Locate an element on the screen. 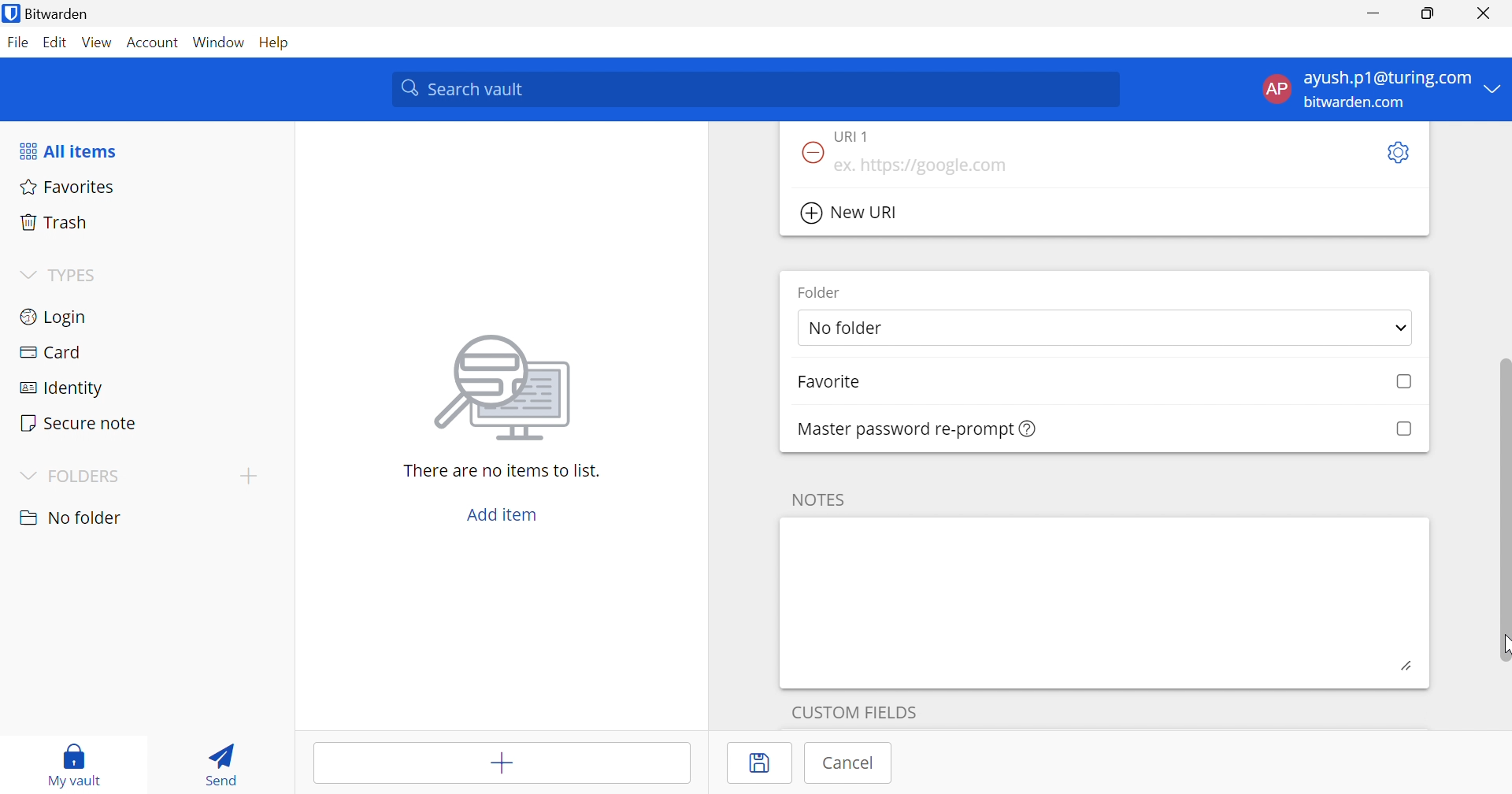 The height and width of the screenshot is (794, 1512). Drop Down is located at coordinates (1494, 87).